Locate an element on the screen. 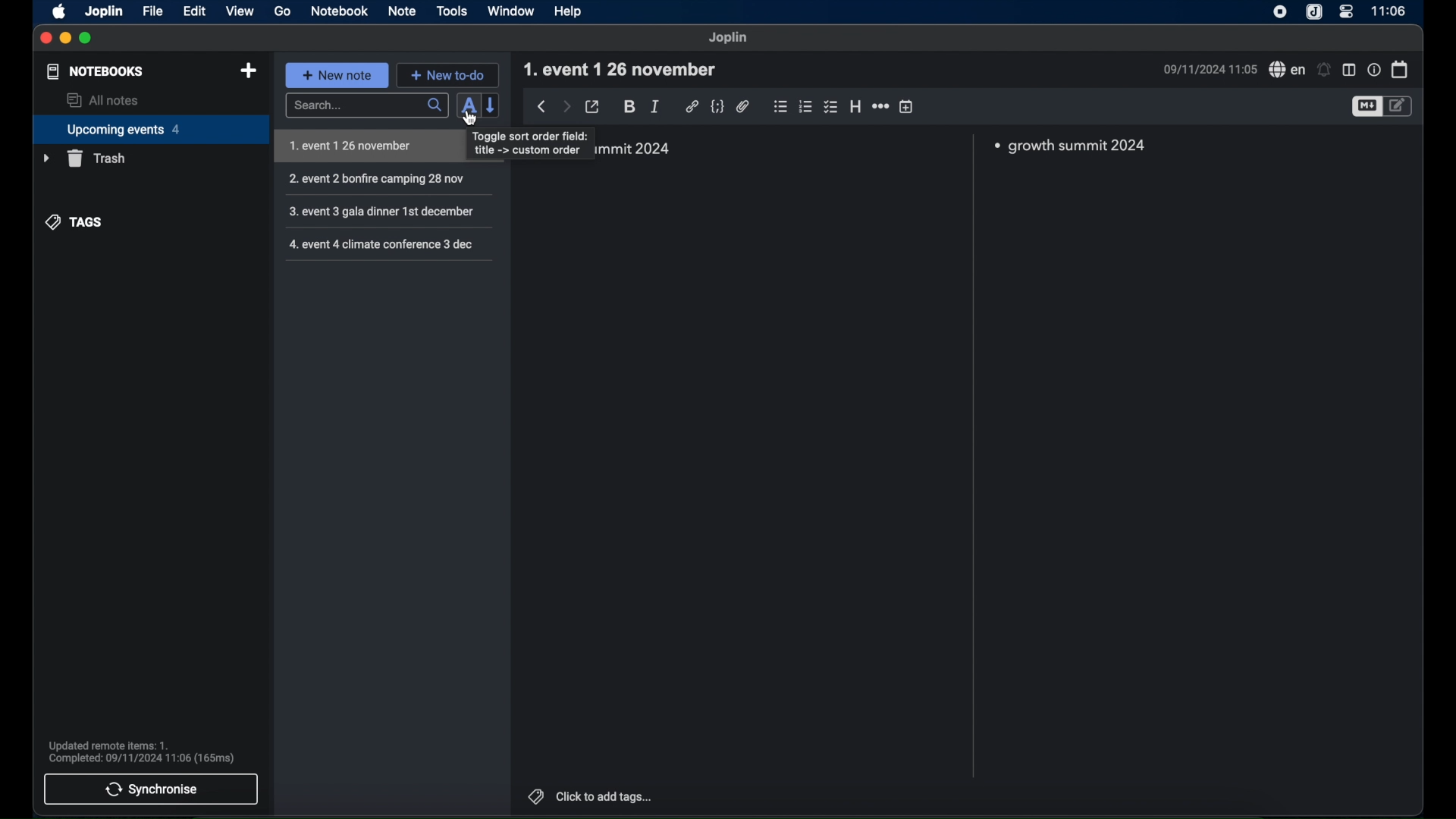  go is located at coordinates (283, 13).